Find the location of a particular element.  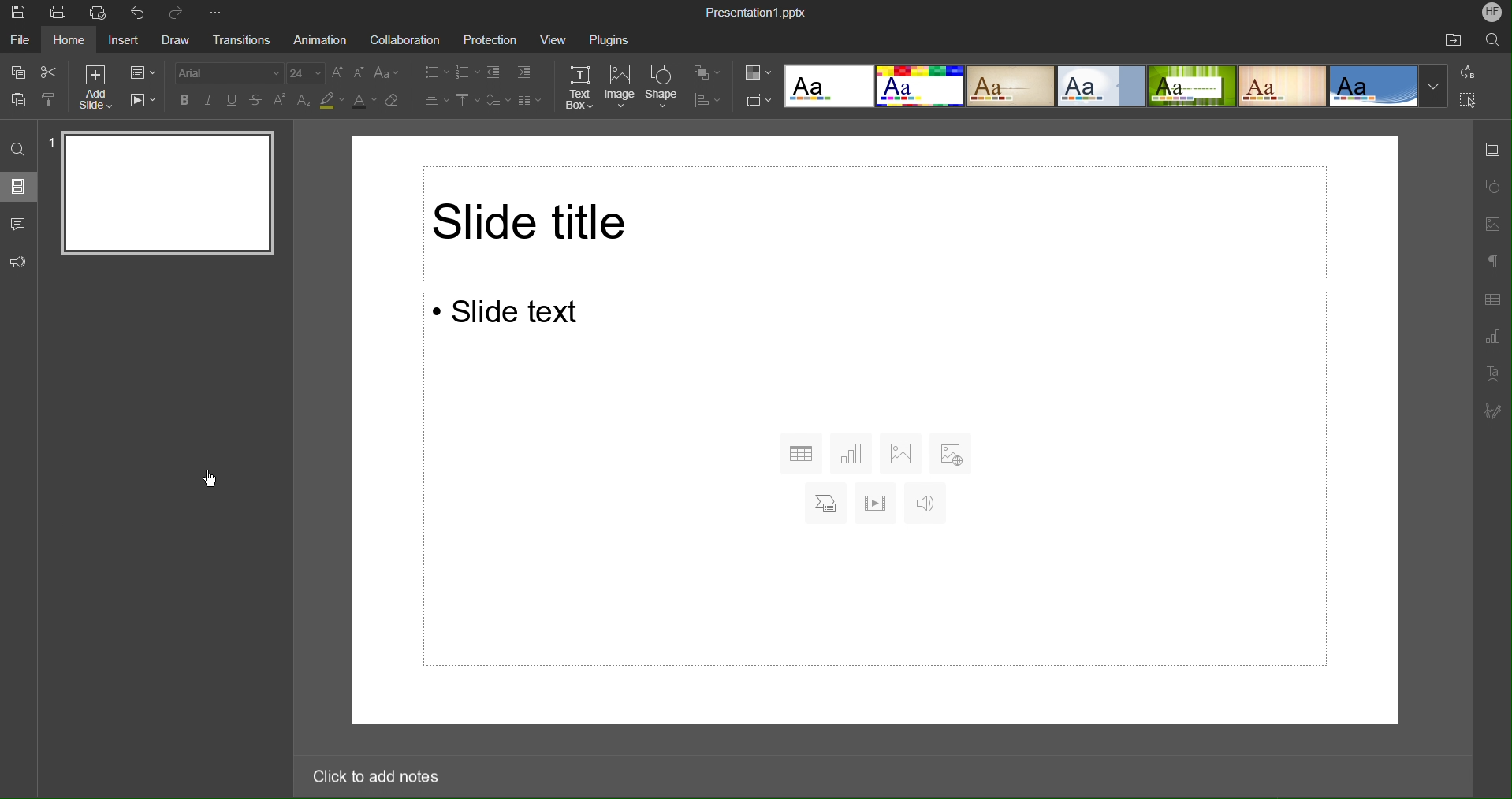

increase font size is located at coordinates (336, 72).